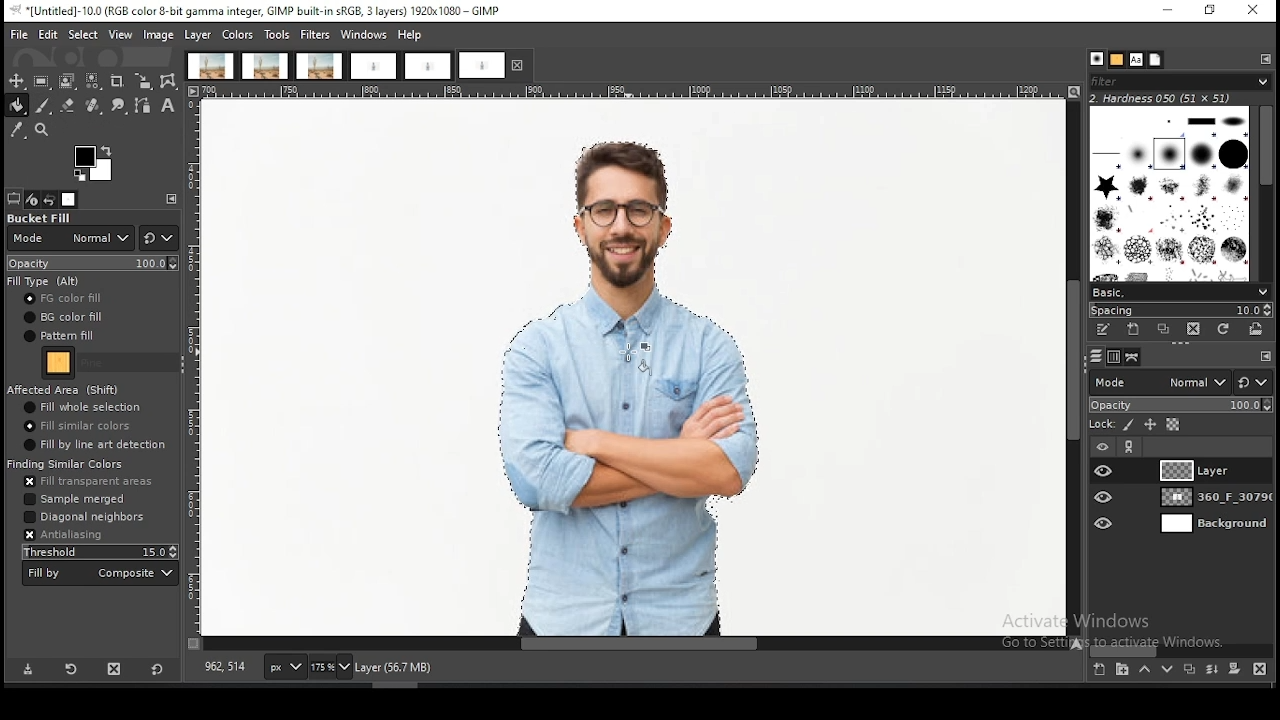  I want to click on layer, so click(1212, 497).